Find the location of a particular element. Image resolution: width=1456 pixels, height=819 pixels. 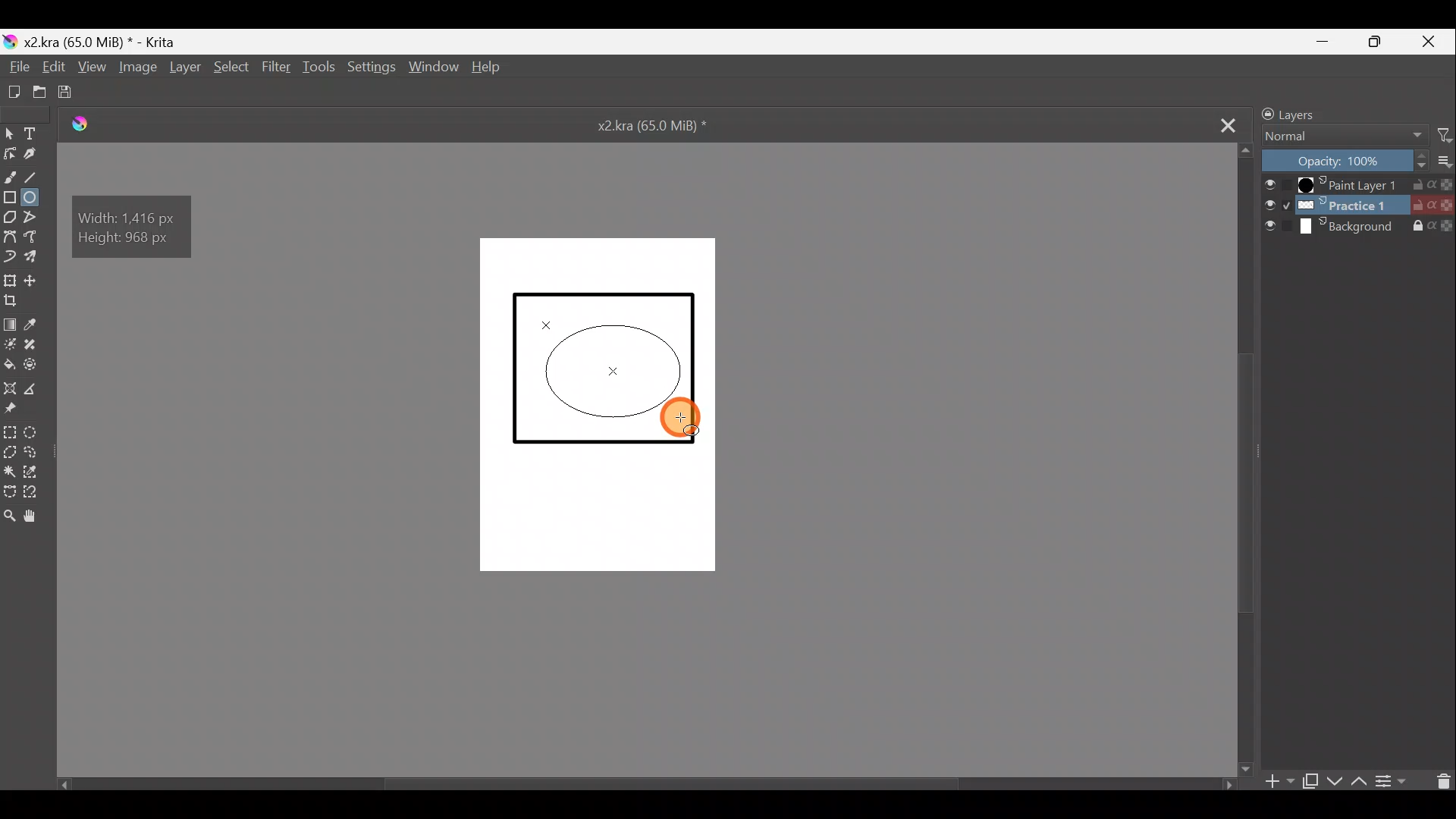

Measure distance between two points is located at coordinates (35, 388).